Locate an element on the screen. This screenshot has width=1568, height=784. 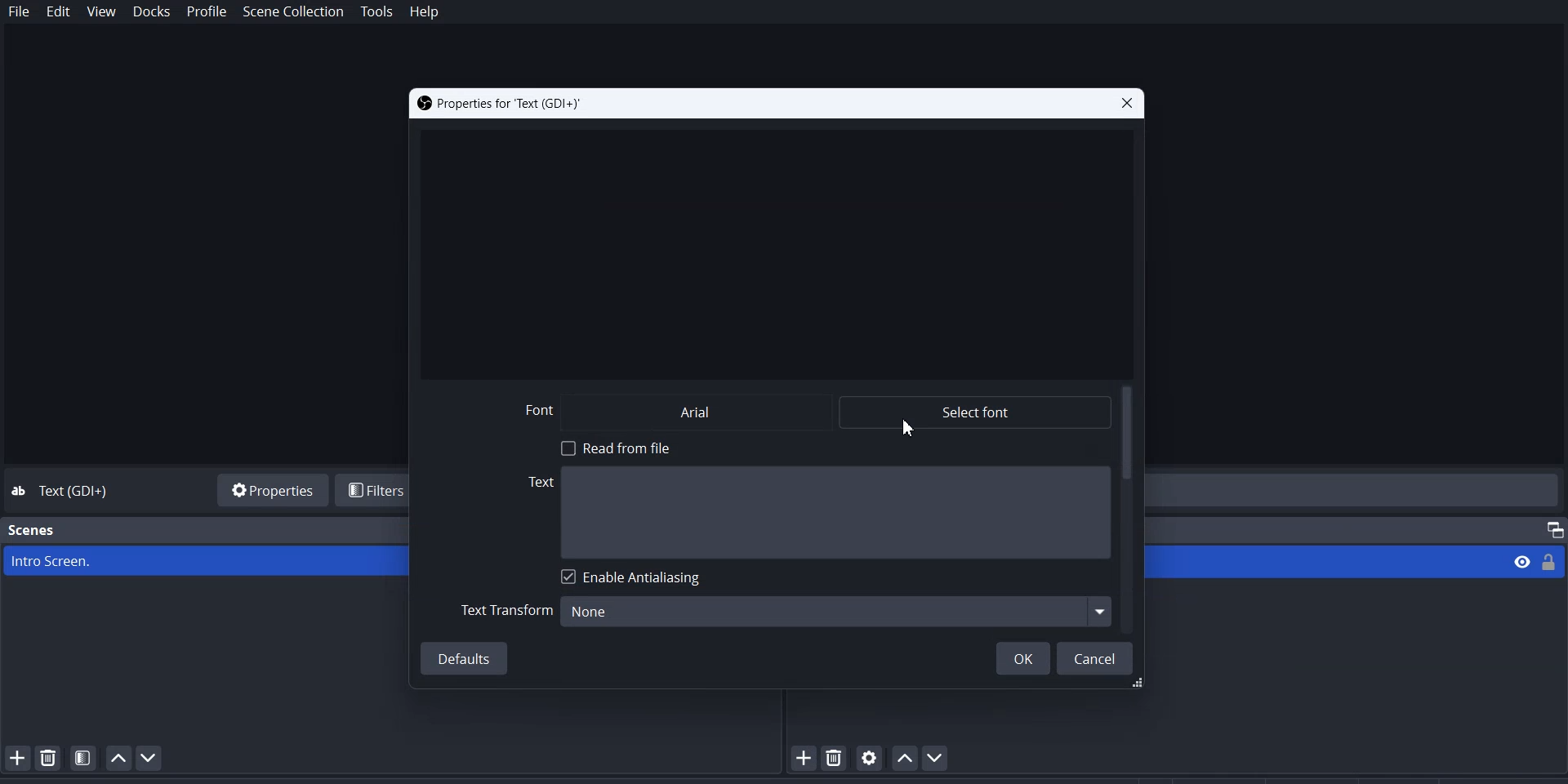
Image Screen is located at coordinates (206, 561).